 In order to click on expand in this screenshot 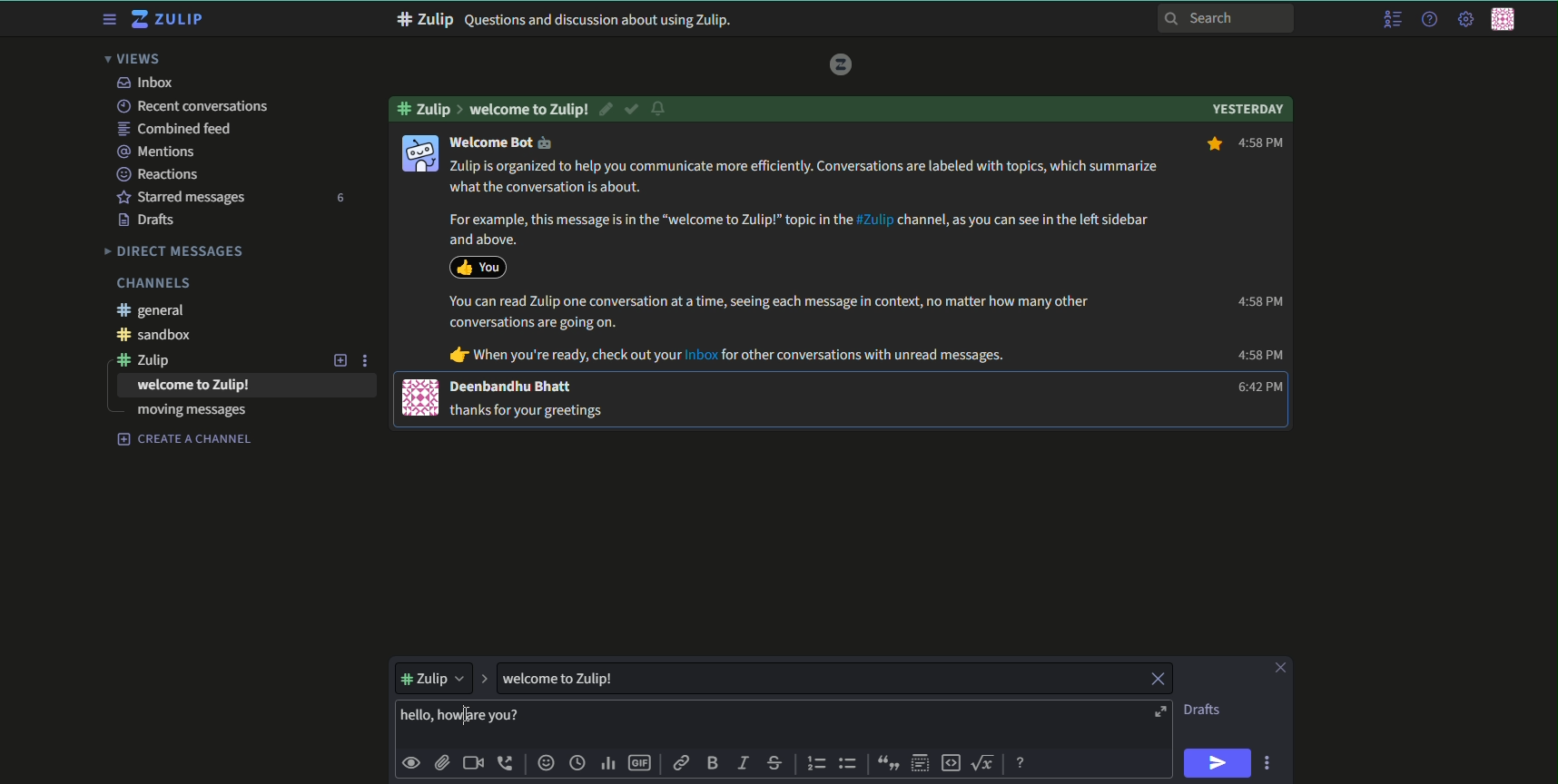, I will do `click(484, 677)`.